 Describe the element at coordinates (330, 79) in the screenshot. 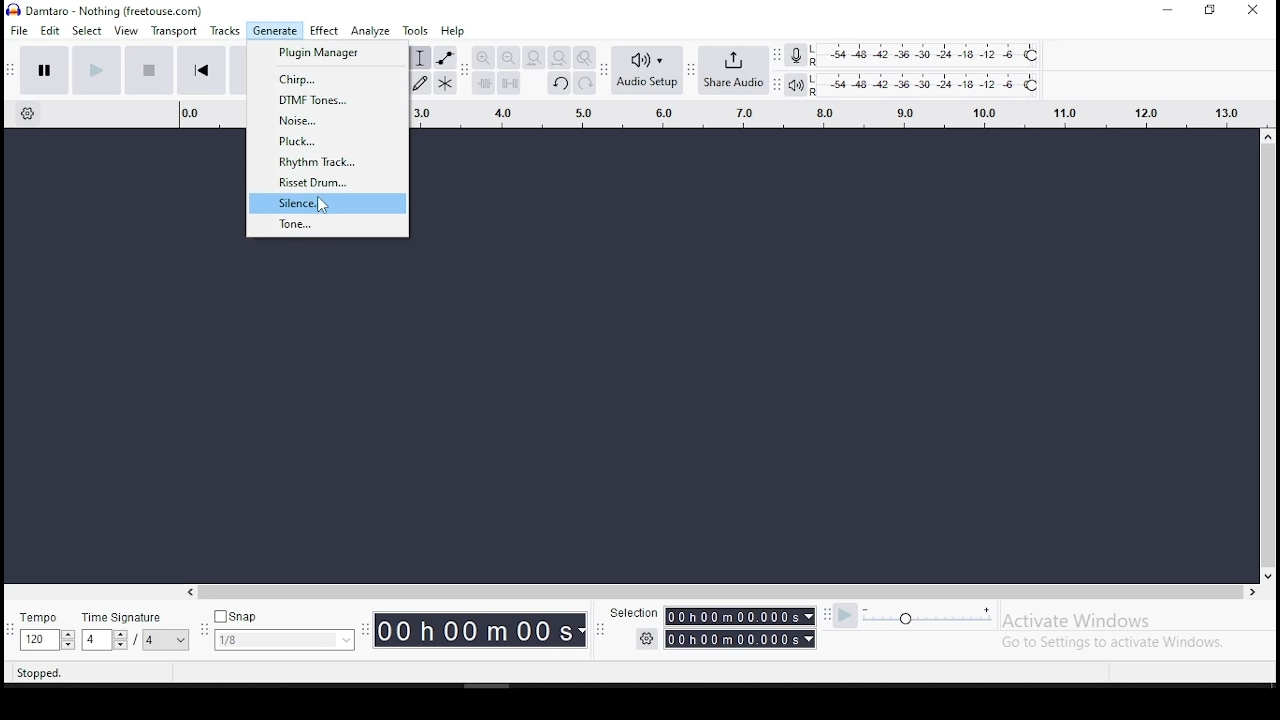

I see `chirp` at that location.